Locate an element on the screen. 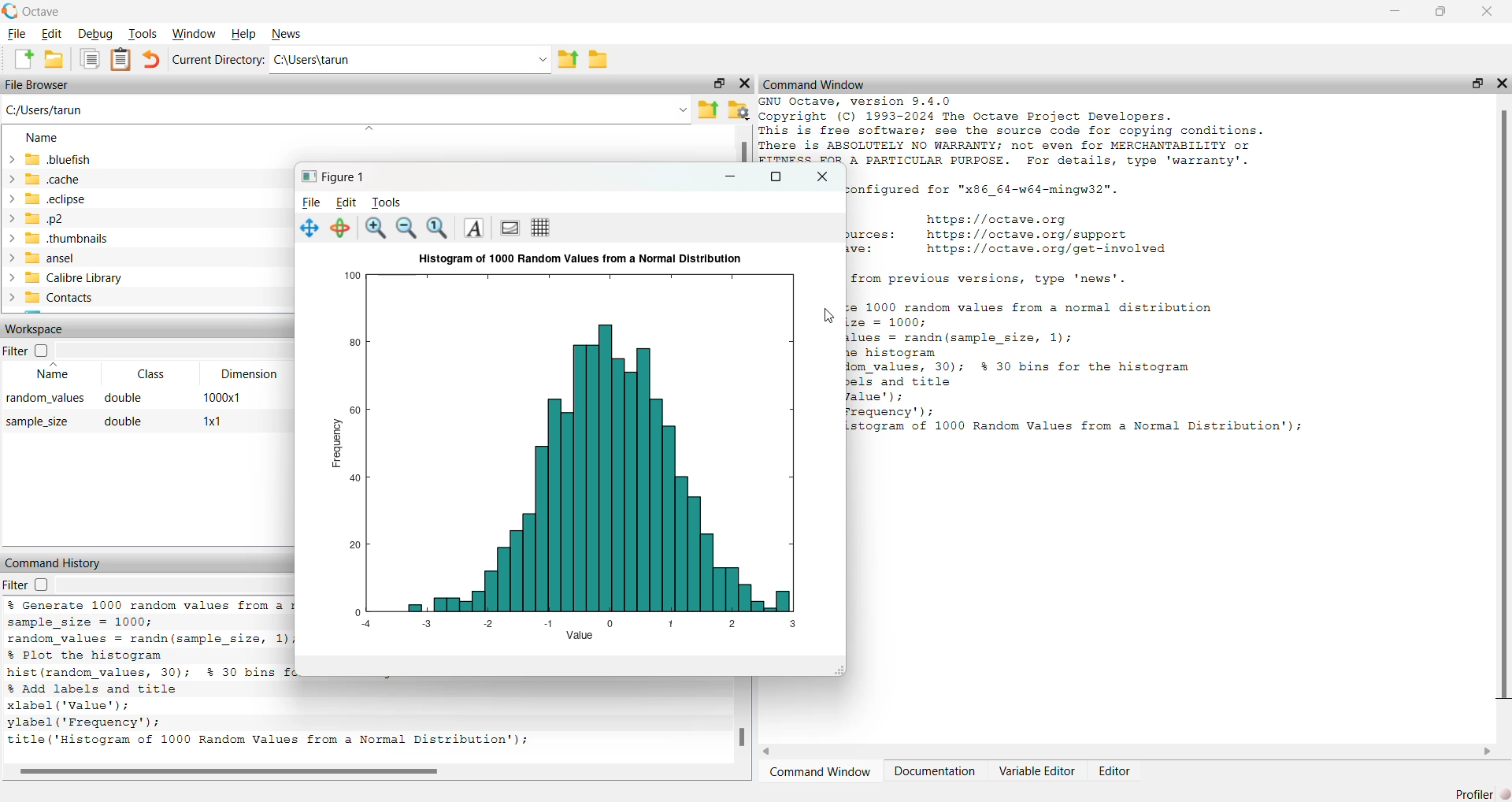  .p2 is located at coordinates (34, 218).